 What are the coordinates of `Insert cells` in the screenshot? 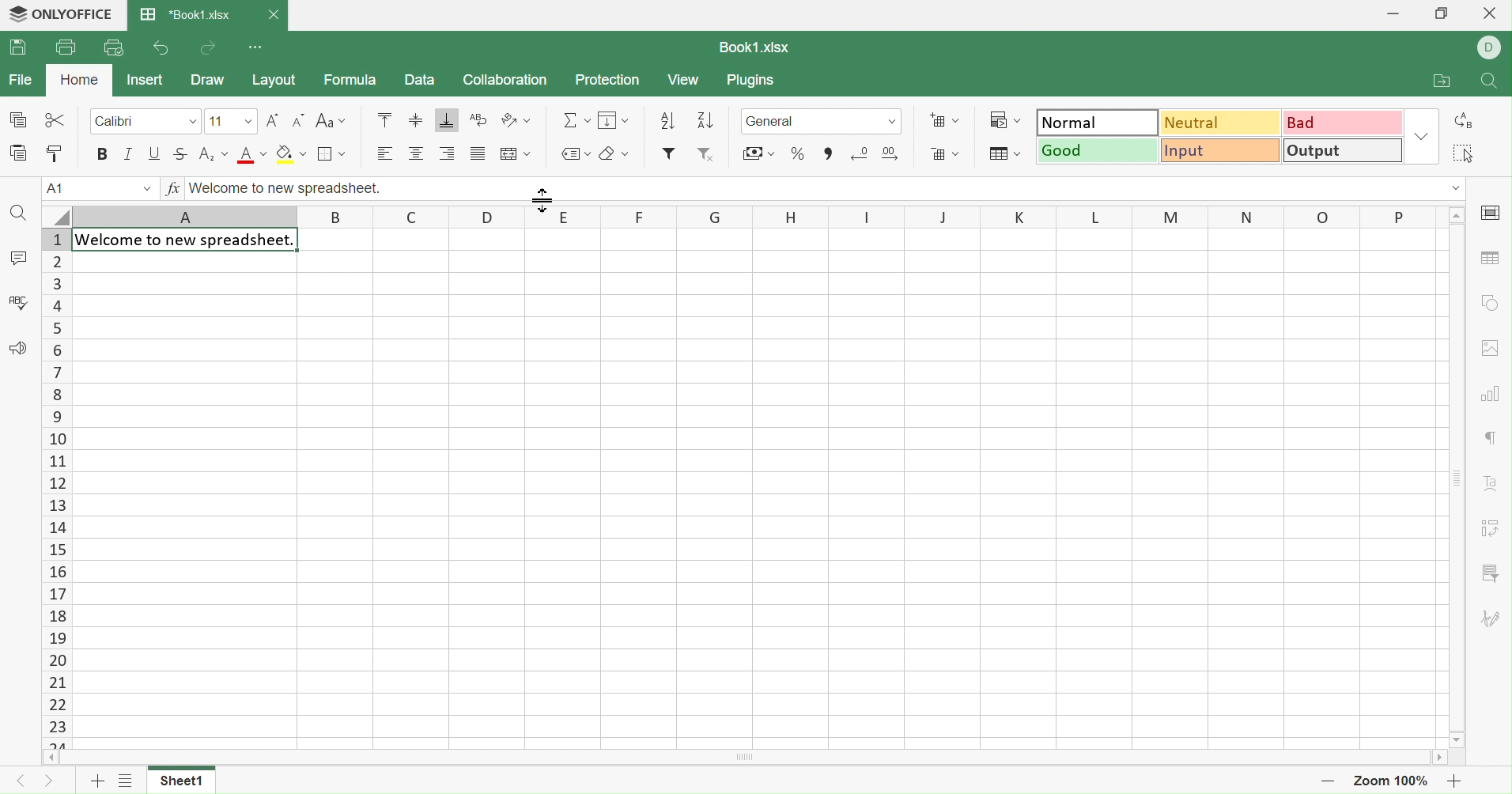 It's located at (943, 120).